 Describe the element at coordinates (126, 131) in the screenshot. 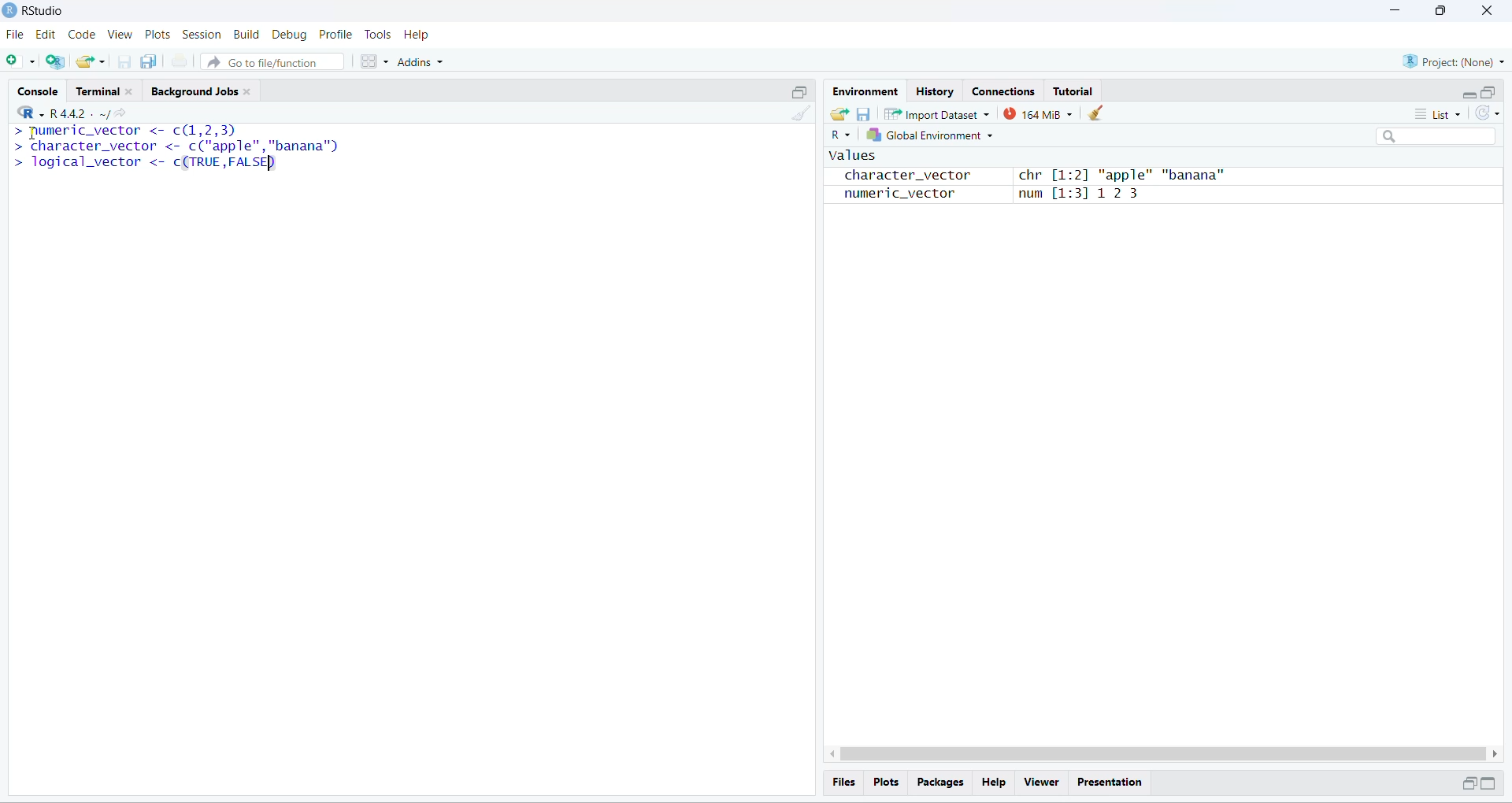

I see `numeric_vector <- c(1,2,3p` at that location.